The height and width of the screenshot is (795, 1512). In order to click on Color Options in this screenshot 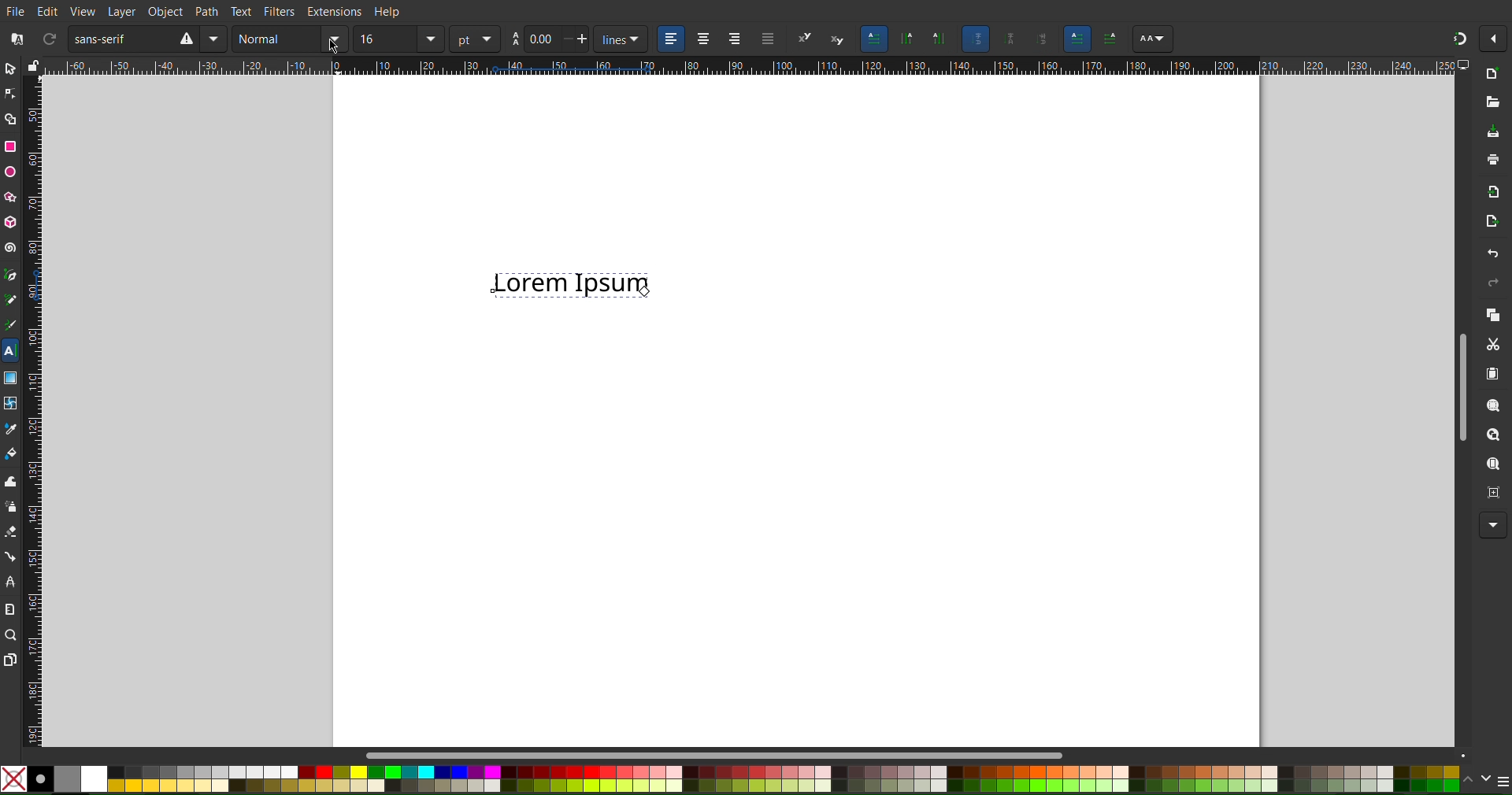, I will do `click(1490, 780)`.